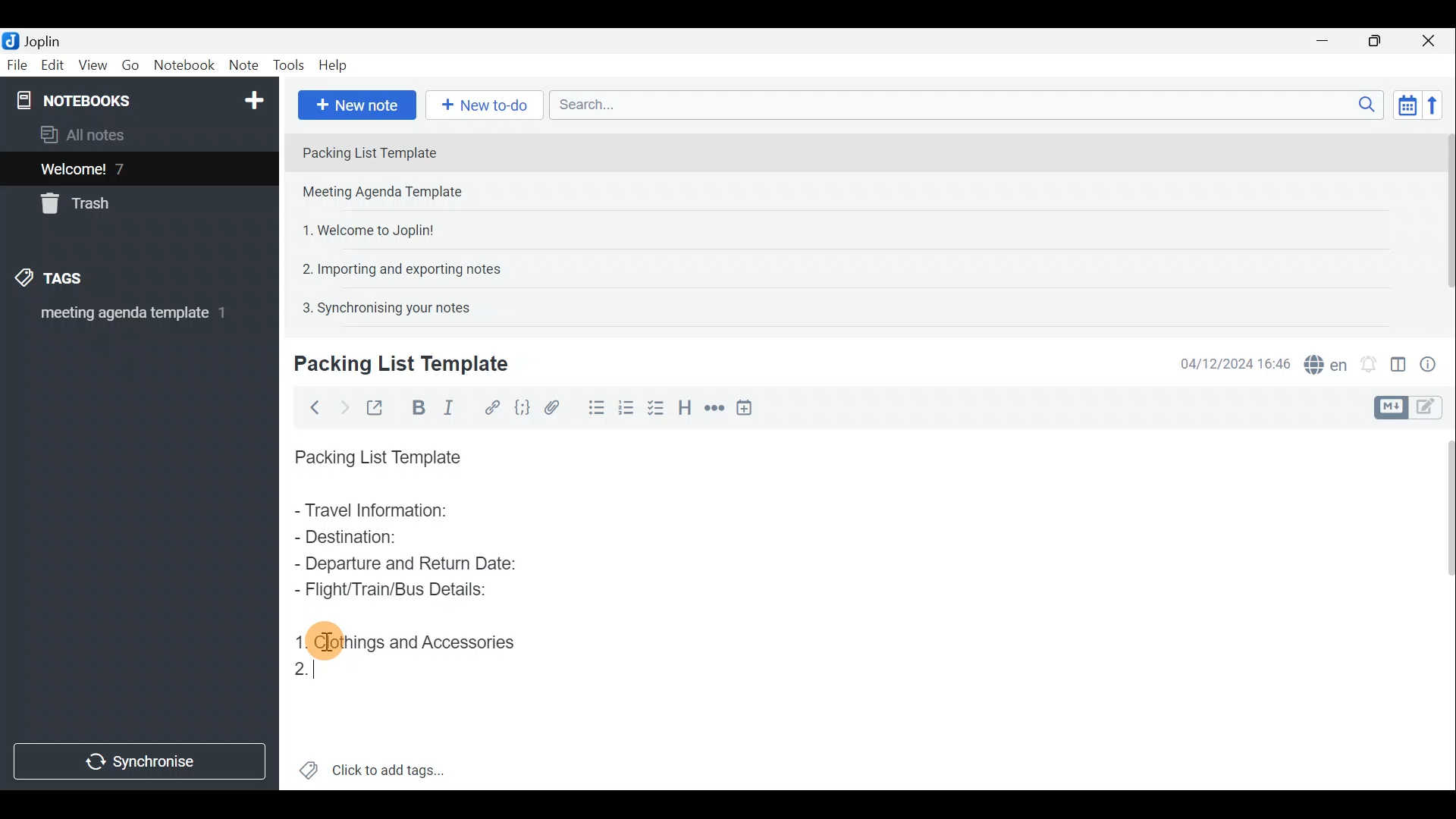  I want to click on Help, so click(335, 67).